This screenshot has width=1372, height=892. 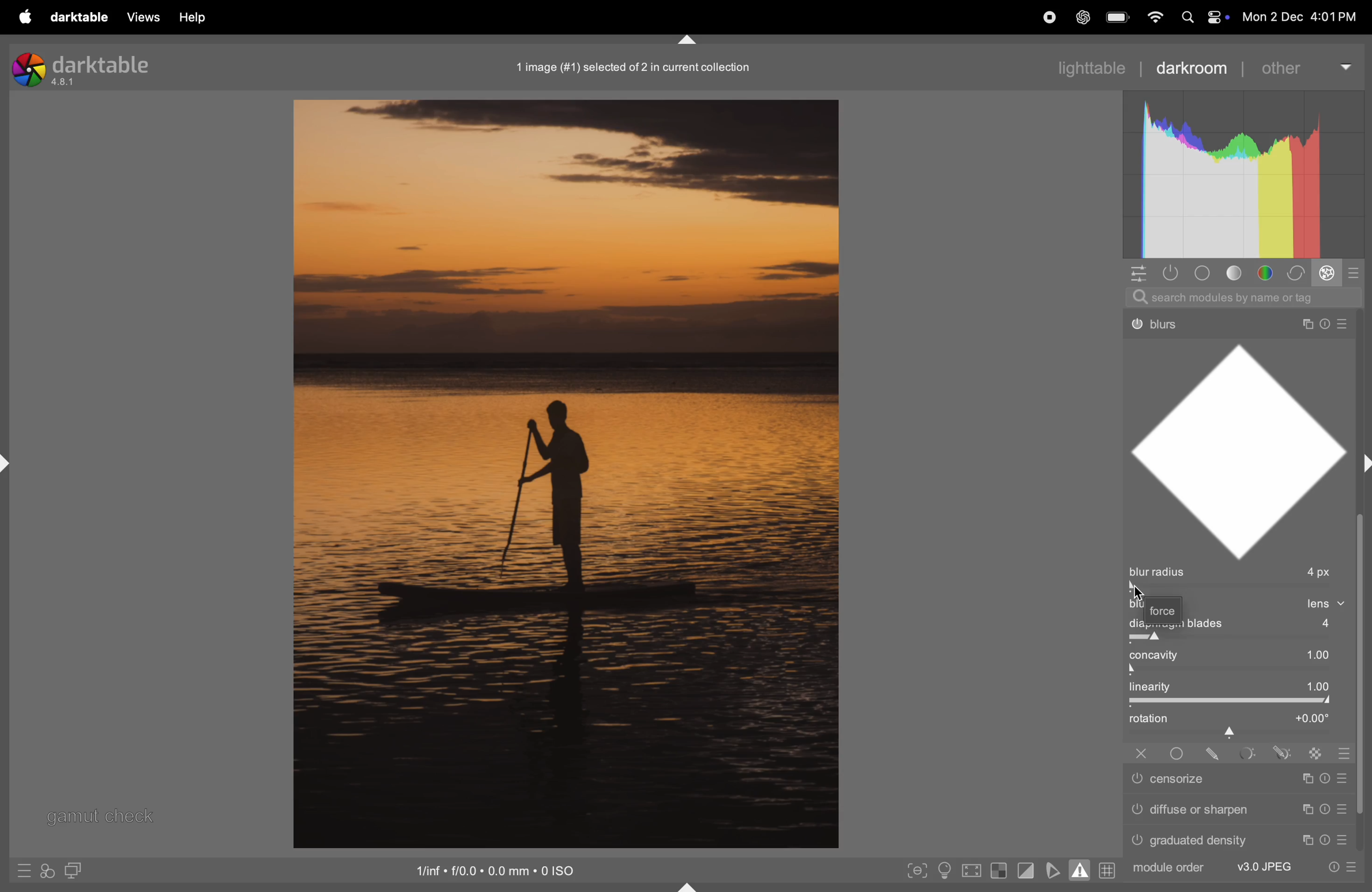 I want to click on shape, so click(x=1245, y=448).